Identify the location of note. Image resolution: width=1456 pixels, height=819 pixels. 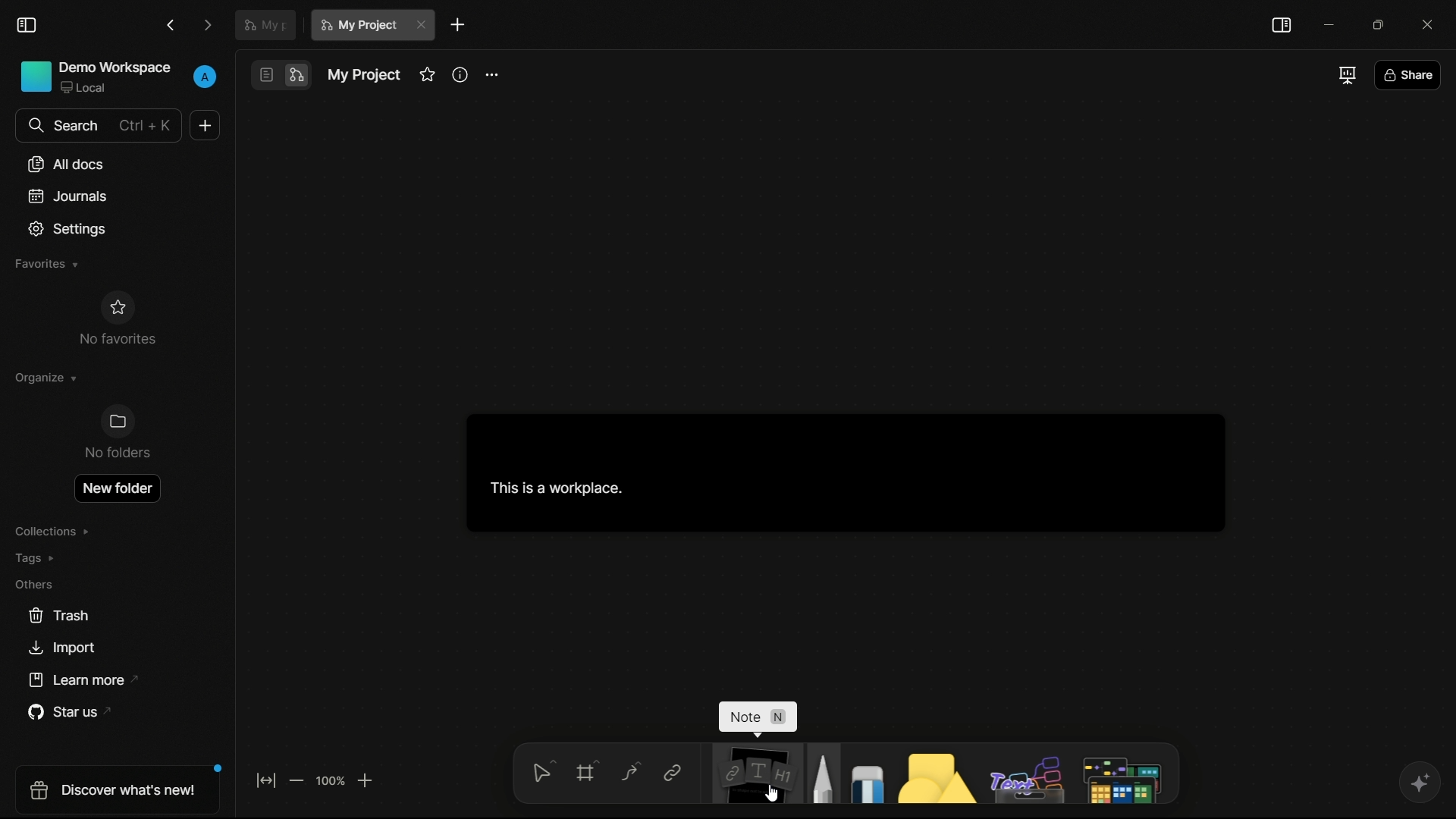
(752, 775).